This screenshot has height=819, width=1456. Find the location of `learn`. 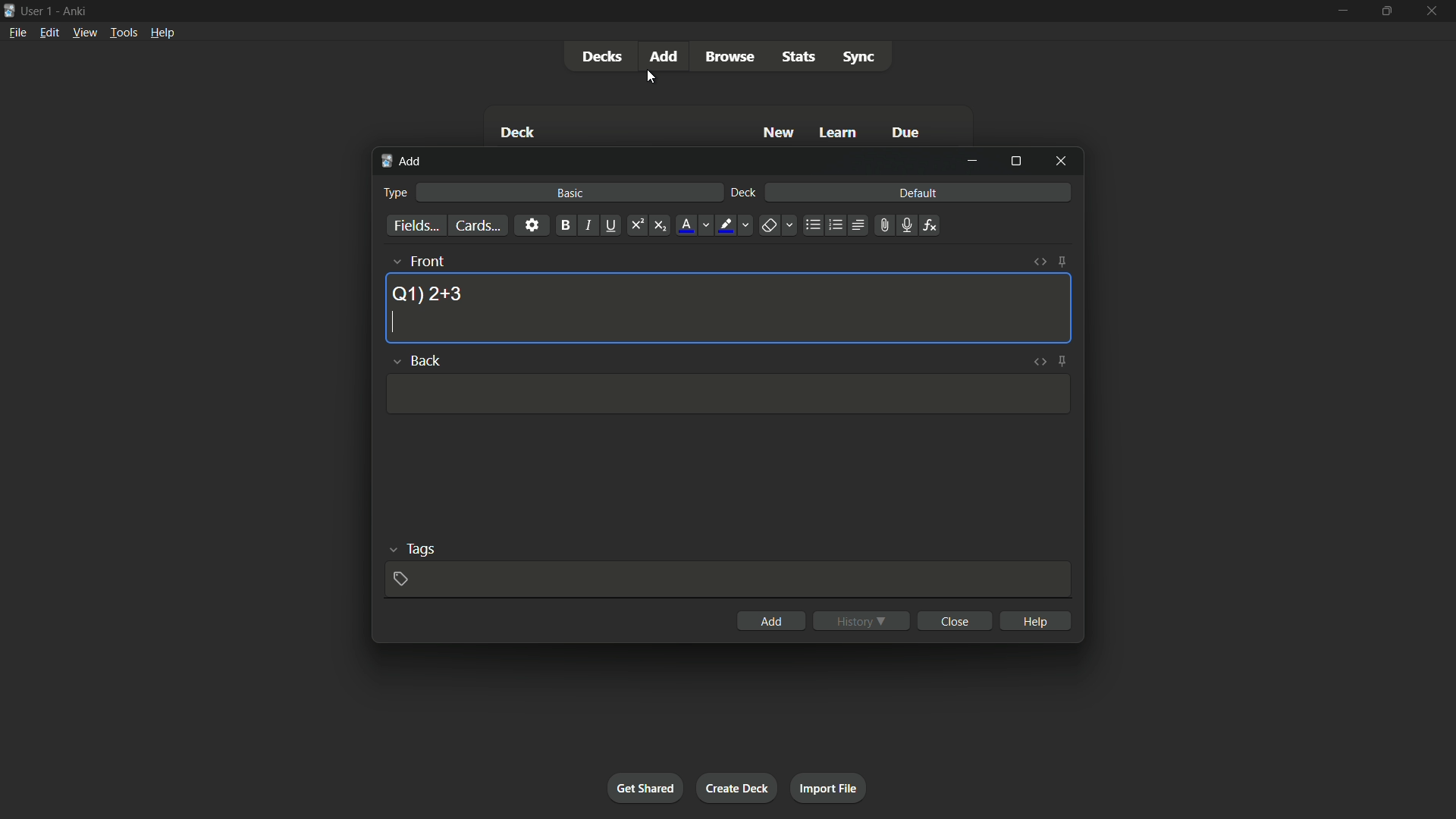

learn is located at coordinates (838, 133).